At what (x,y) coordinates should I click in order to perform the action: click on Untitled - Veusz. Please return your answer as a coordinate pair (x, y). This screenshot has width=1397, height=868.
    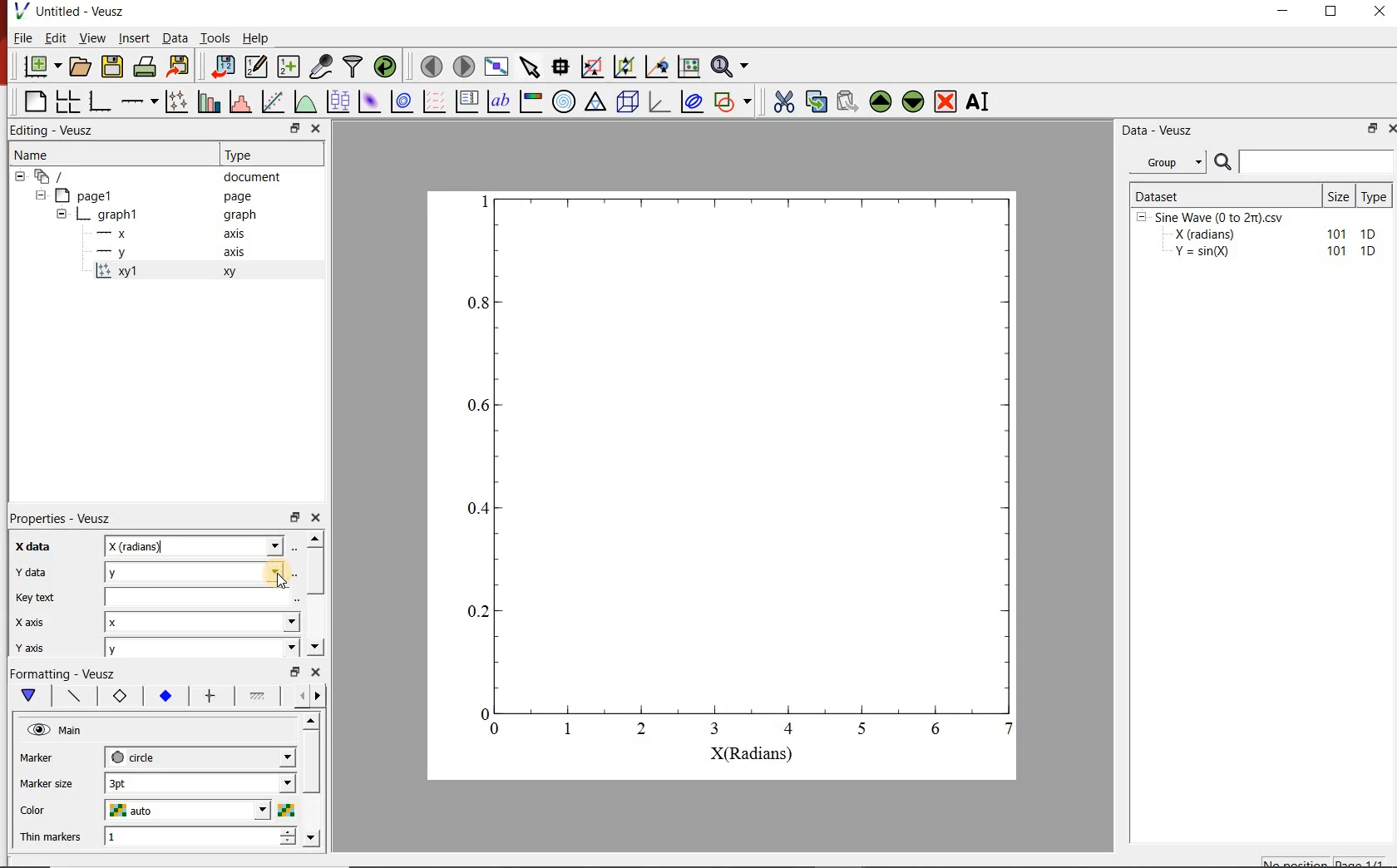
    Looking at the image, I should click on (81, 11).